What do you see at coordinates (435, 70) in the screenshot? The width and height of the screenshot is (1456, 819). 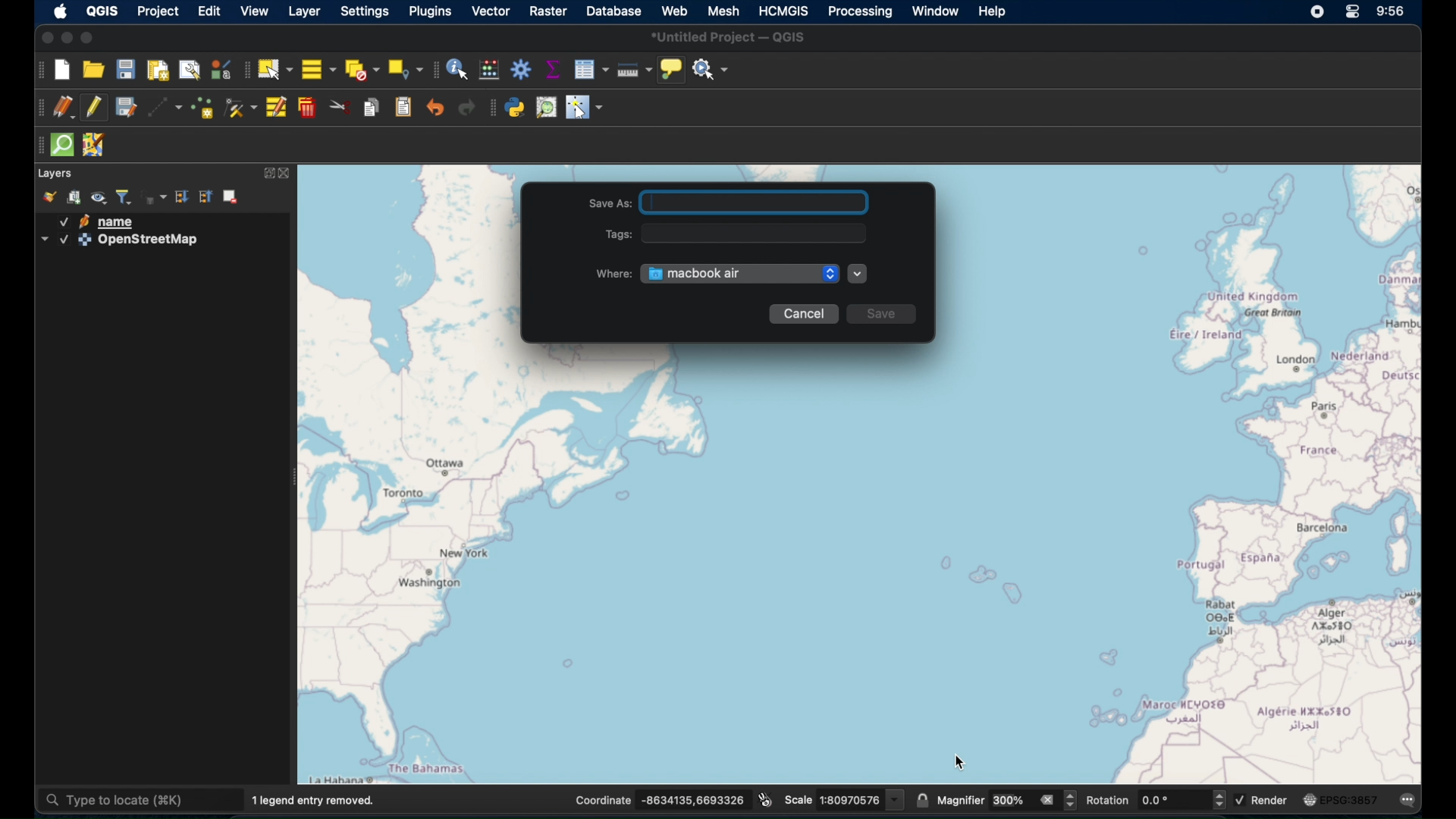 I see `attributes toolbar` at bounding box center [435, 70].